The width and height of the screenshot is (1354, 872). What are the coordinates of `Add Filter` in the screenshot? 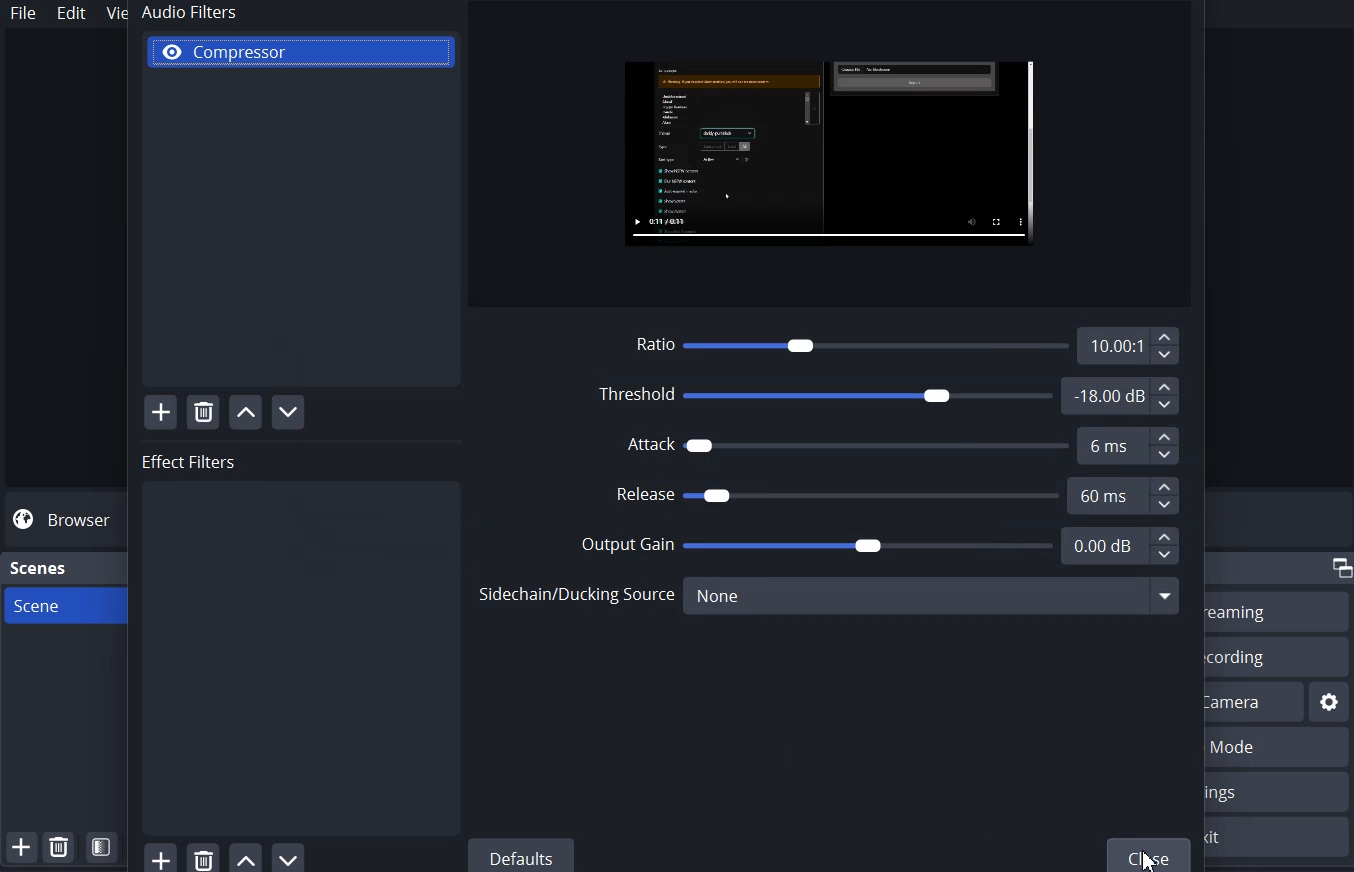 It's located at (160, 856).